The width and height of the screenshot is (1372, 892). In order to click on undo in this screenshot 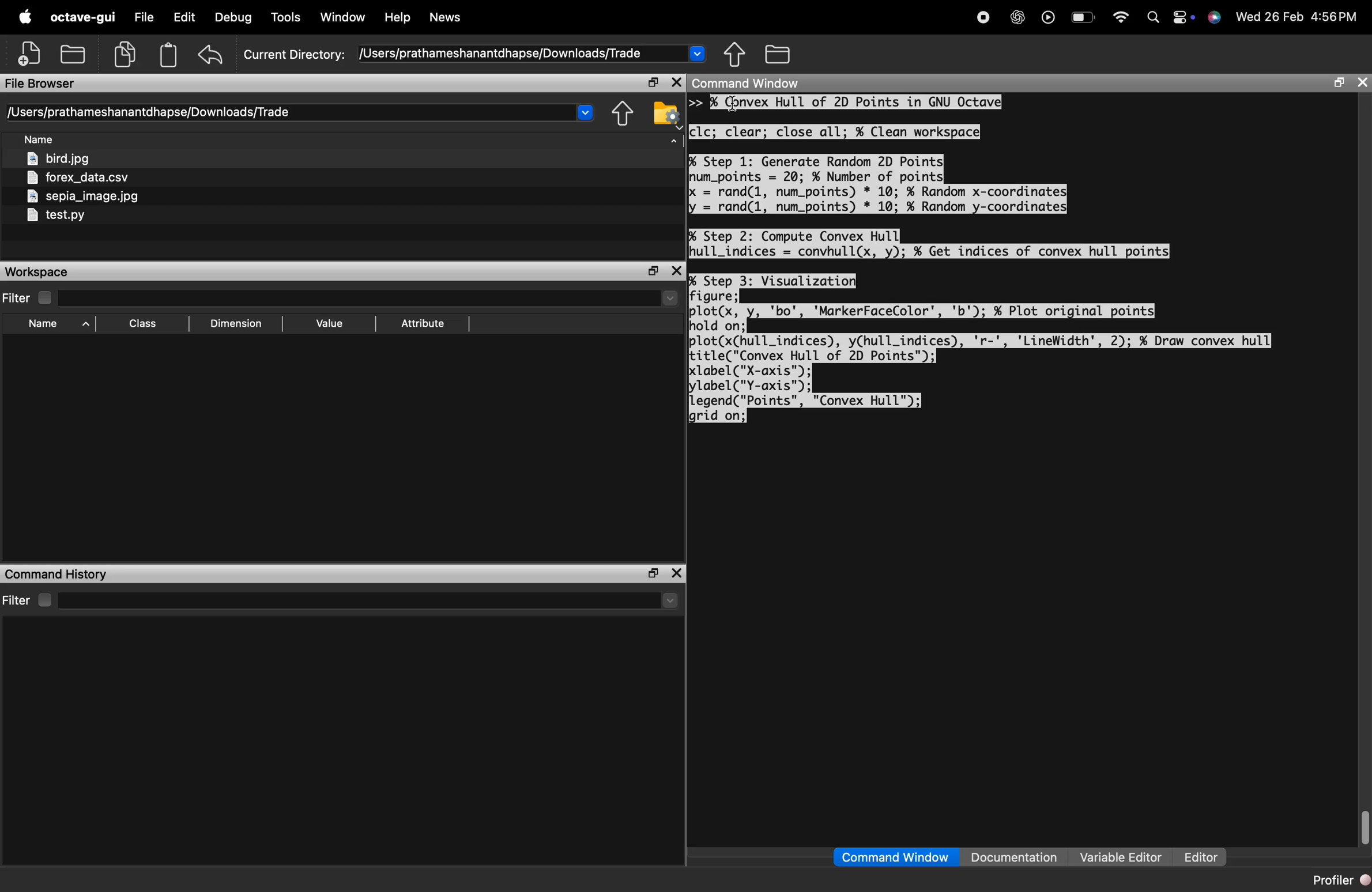, I will do `click(212, 55)`.